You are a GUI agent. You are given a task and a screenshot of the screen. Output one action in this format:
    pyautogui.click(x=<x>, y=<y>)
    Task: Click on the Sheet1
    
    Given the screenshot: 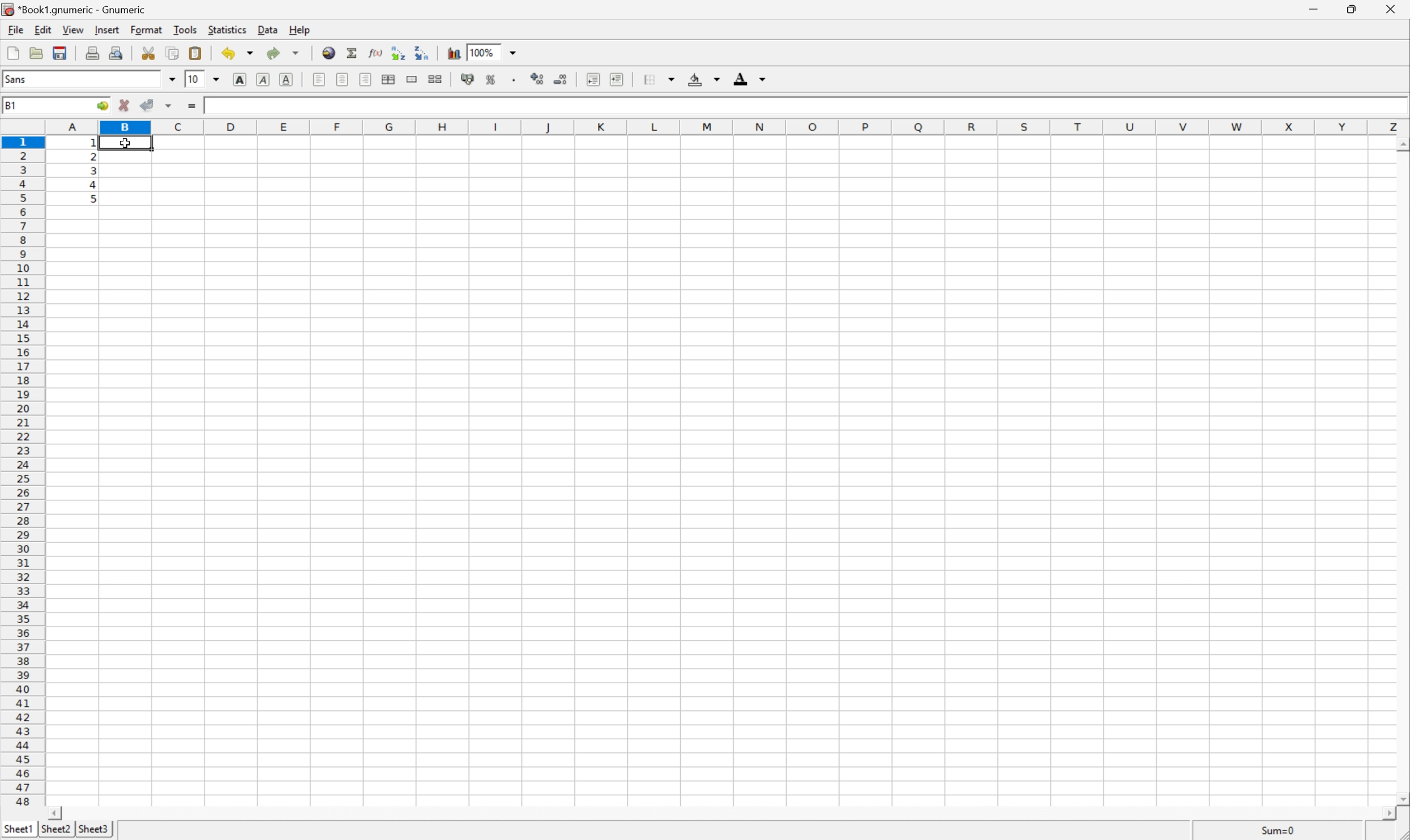 What is the action you would take?
    pyautogui.click(x=18, y=829)
    